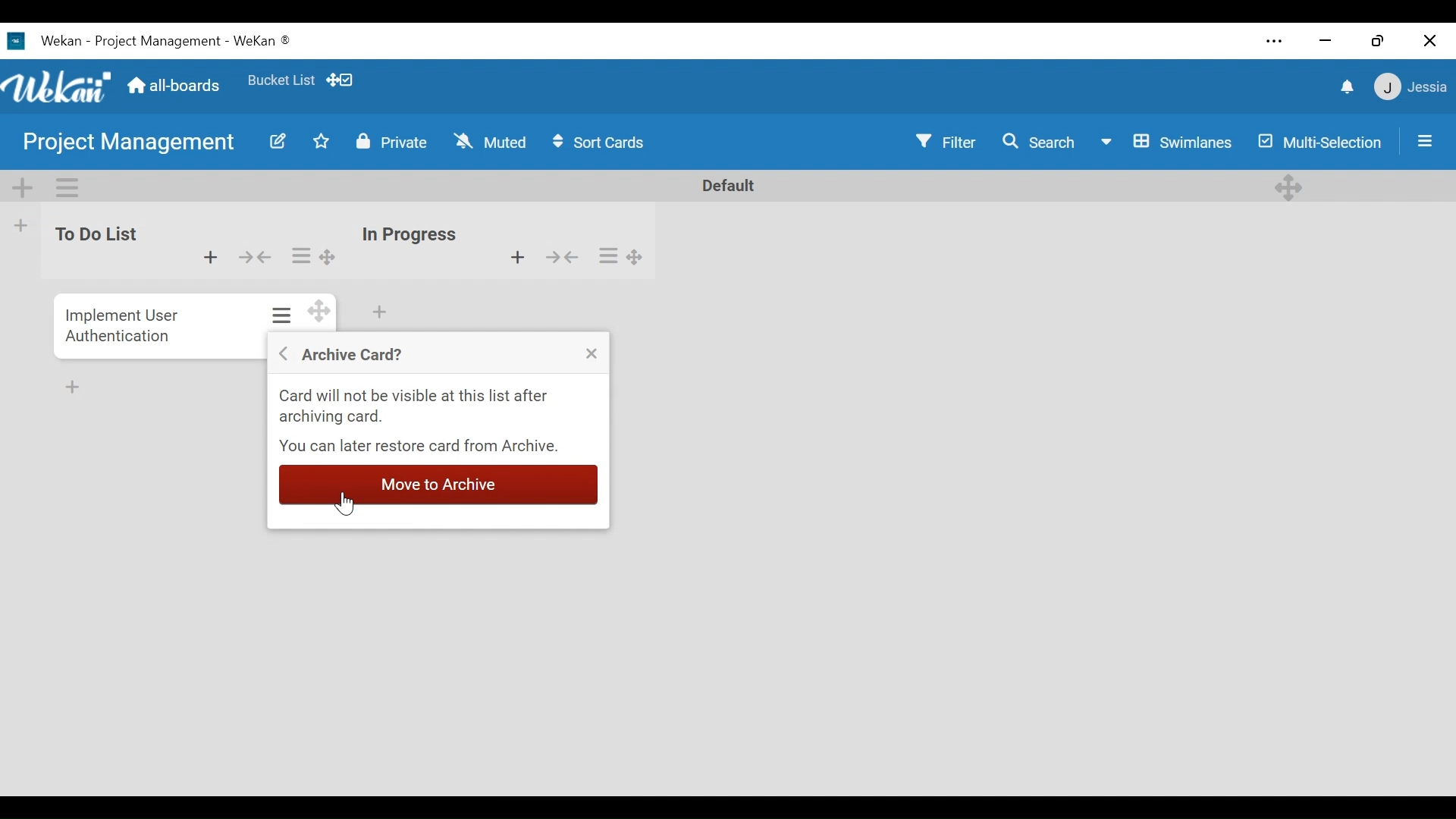 The width and height of the screenshot is (1456, 819). What do you see at coordinates (311, 253) in the screenshot?
I see `options` at bounding box center [311, 253].